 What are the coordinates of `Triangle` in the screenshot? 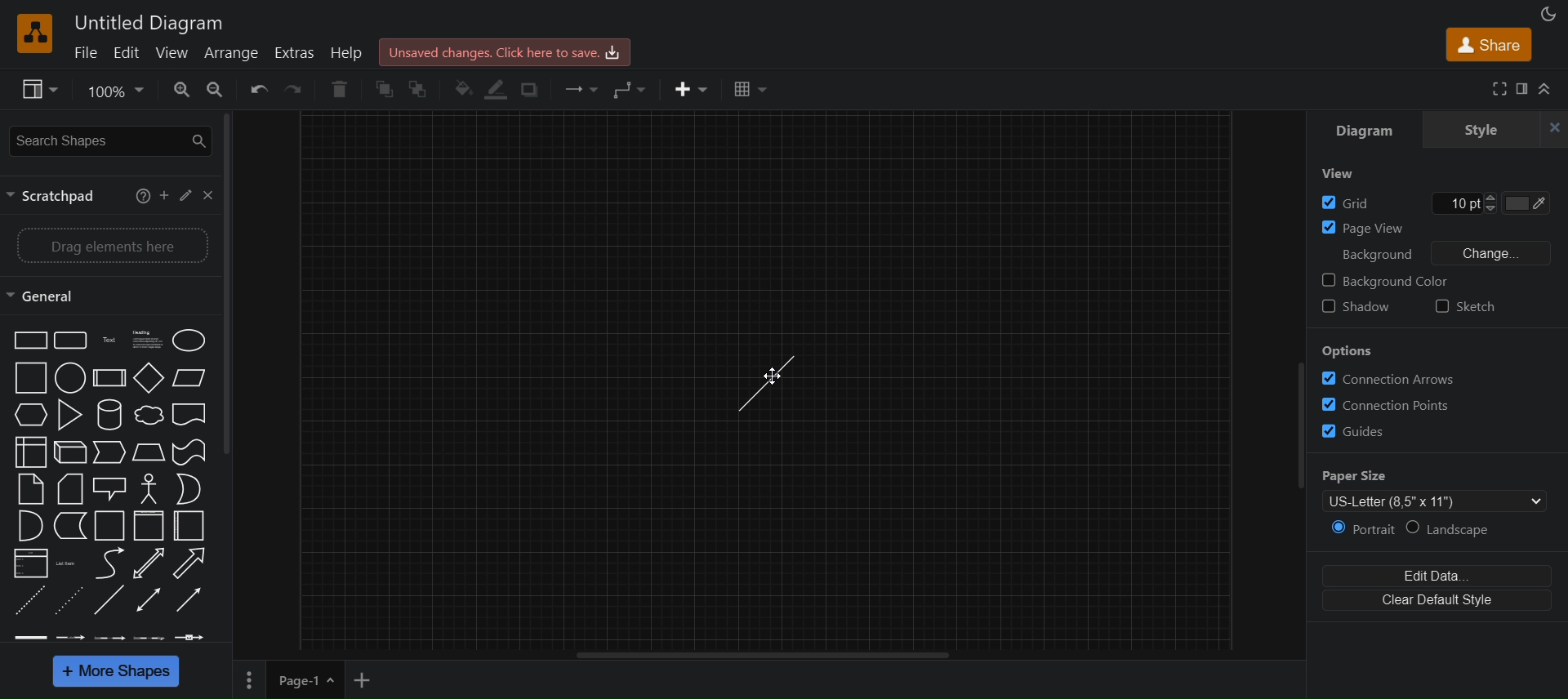 It's located at (67, 414).